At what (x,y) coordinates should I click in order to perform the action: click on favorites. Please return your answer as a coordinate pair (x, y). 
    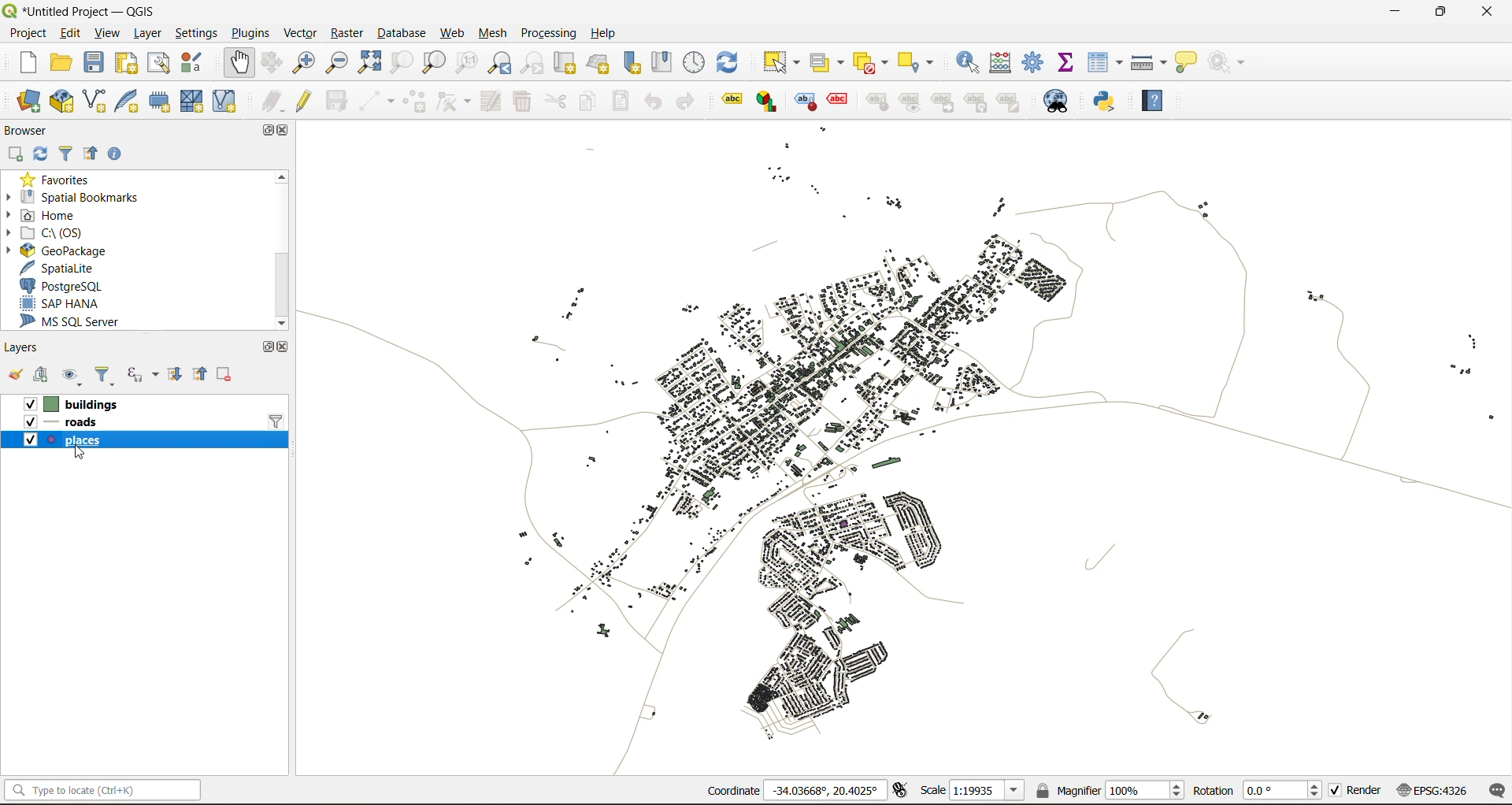
    Looking at the image, I should click on (61, 180).